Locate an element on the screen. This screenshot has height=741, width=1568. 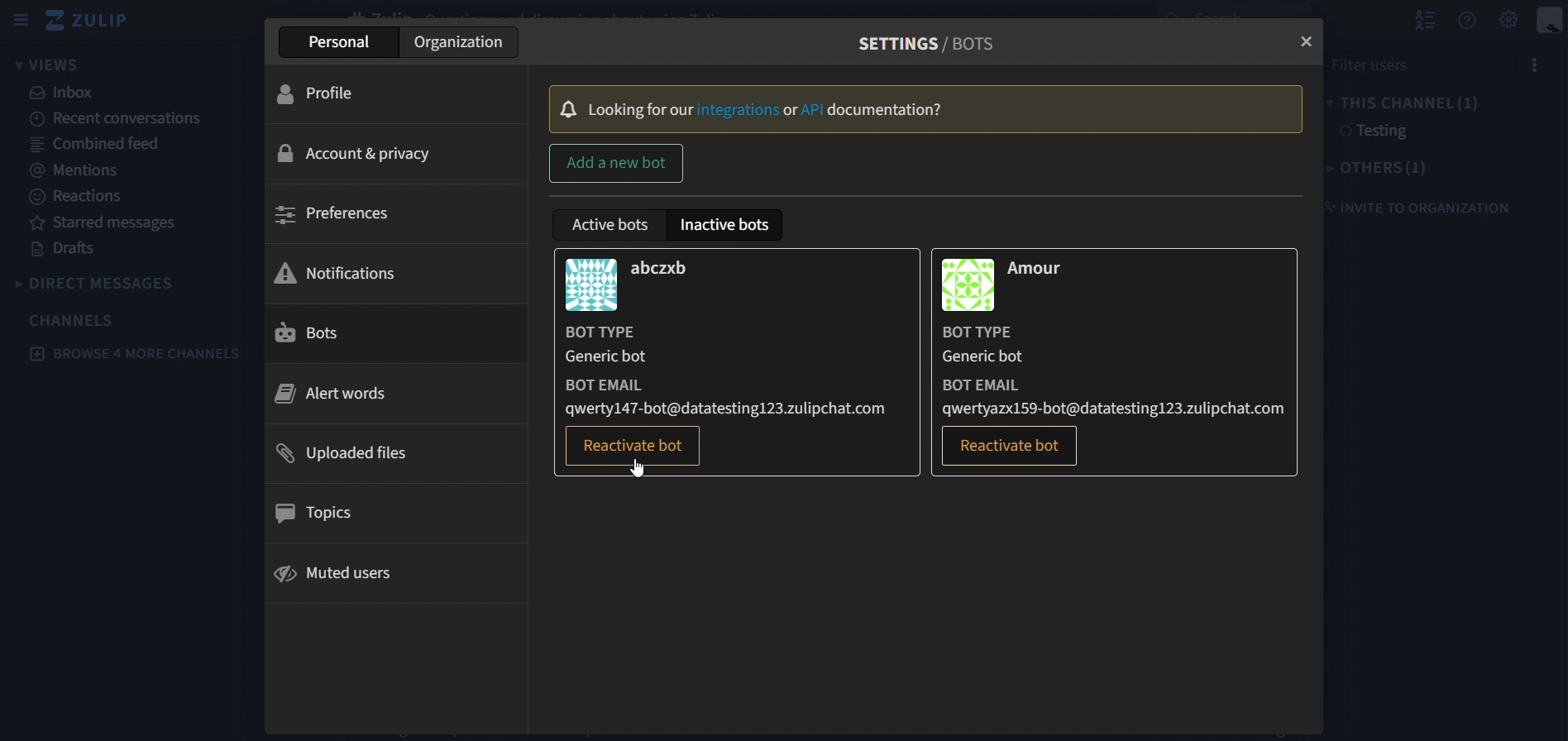
Cursor is located at coordinates (638, 469).